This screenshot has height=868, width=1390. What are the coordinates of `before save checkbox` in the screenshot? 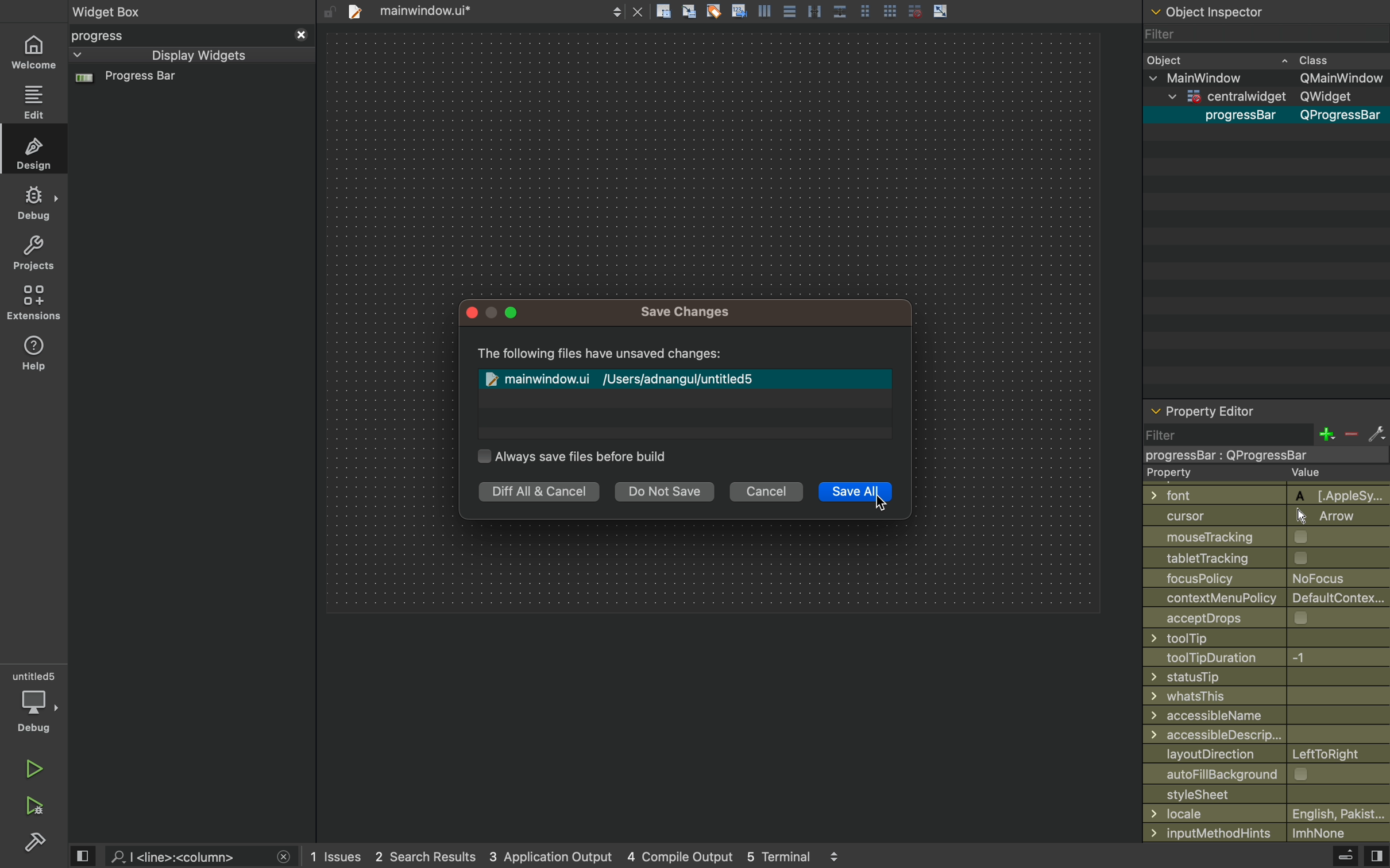 It's located at (575, 455).